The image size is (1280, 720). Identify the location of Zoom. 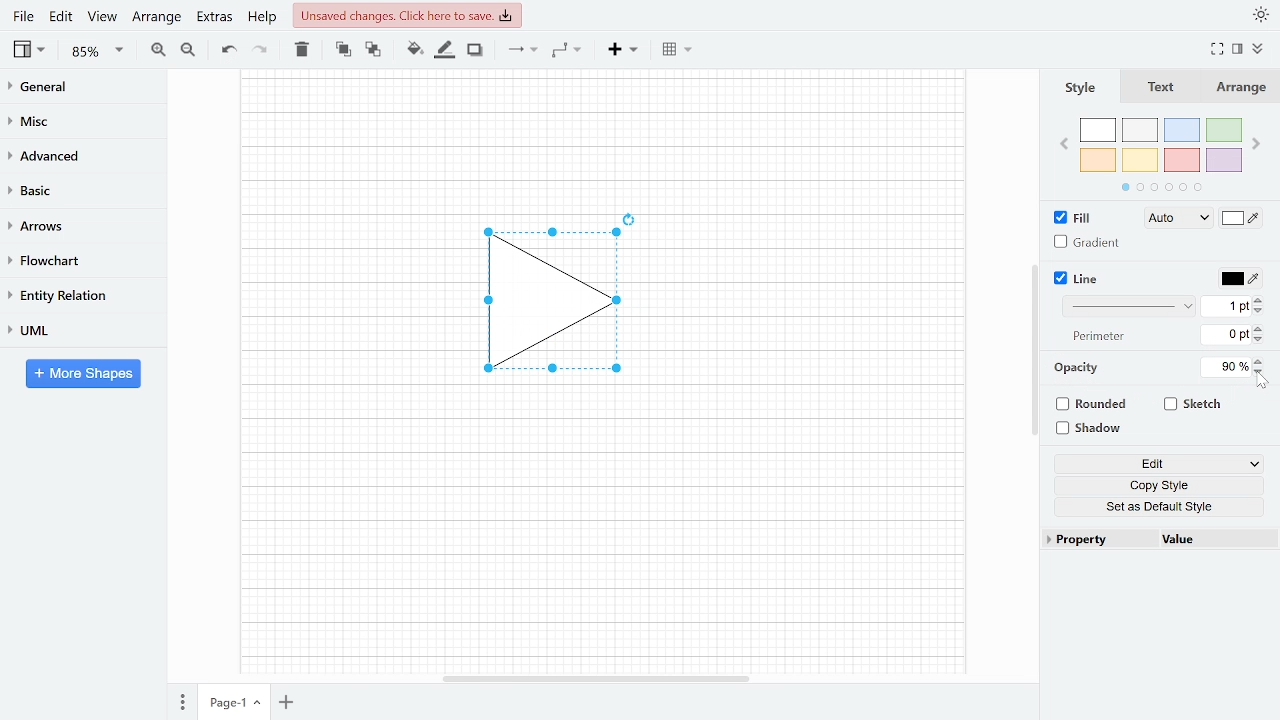
(98, 51).